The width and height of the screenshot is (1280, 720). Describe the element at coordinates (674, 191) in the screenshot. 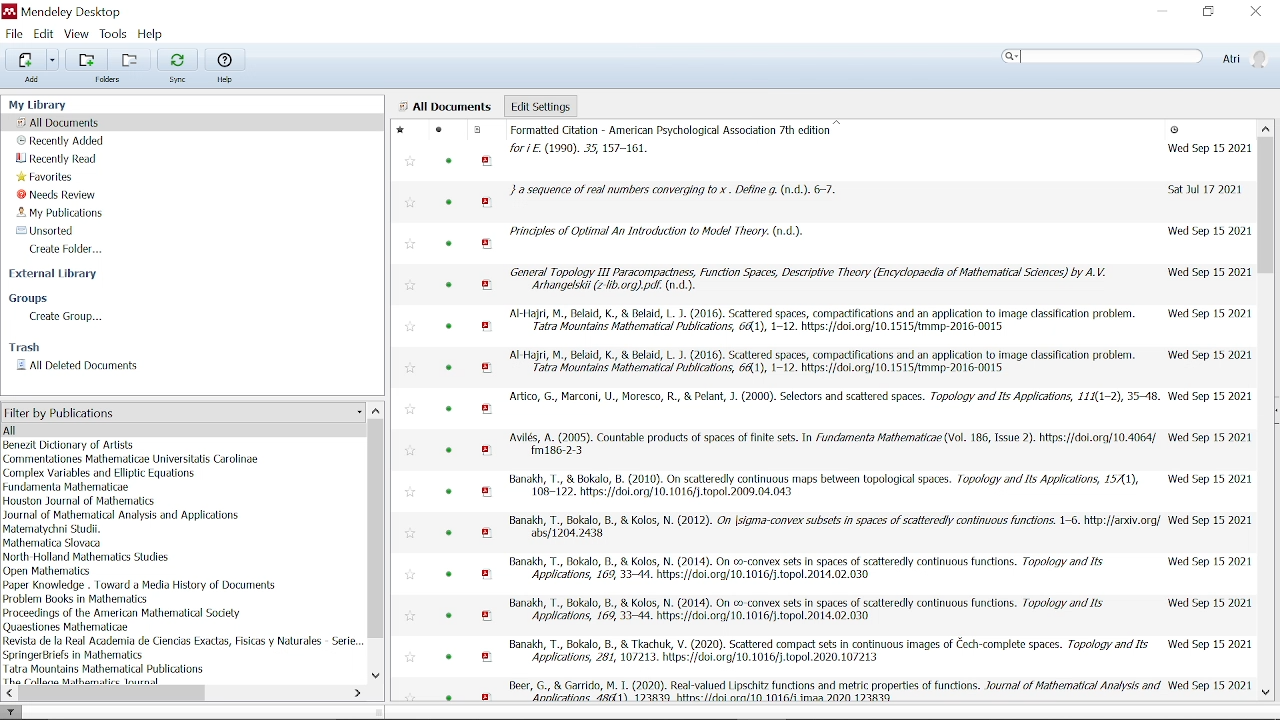

I see `citation` at that location.